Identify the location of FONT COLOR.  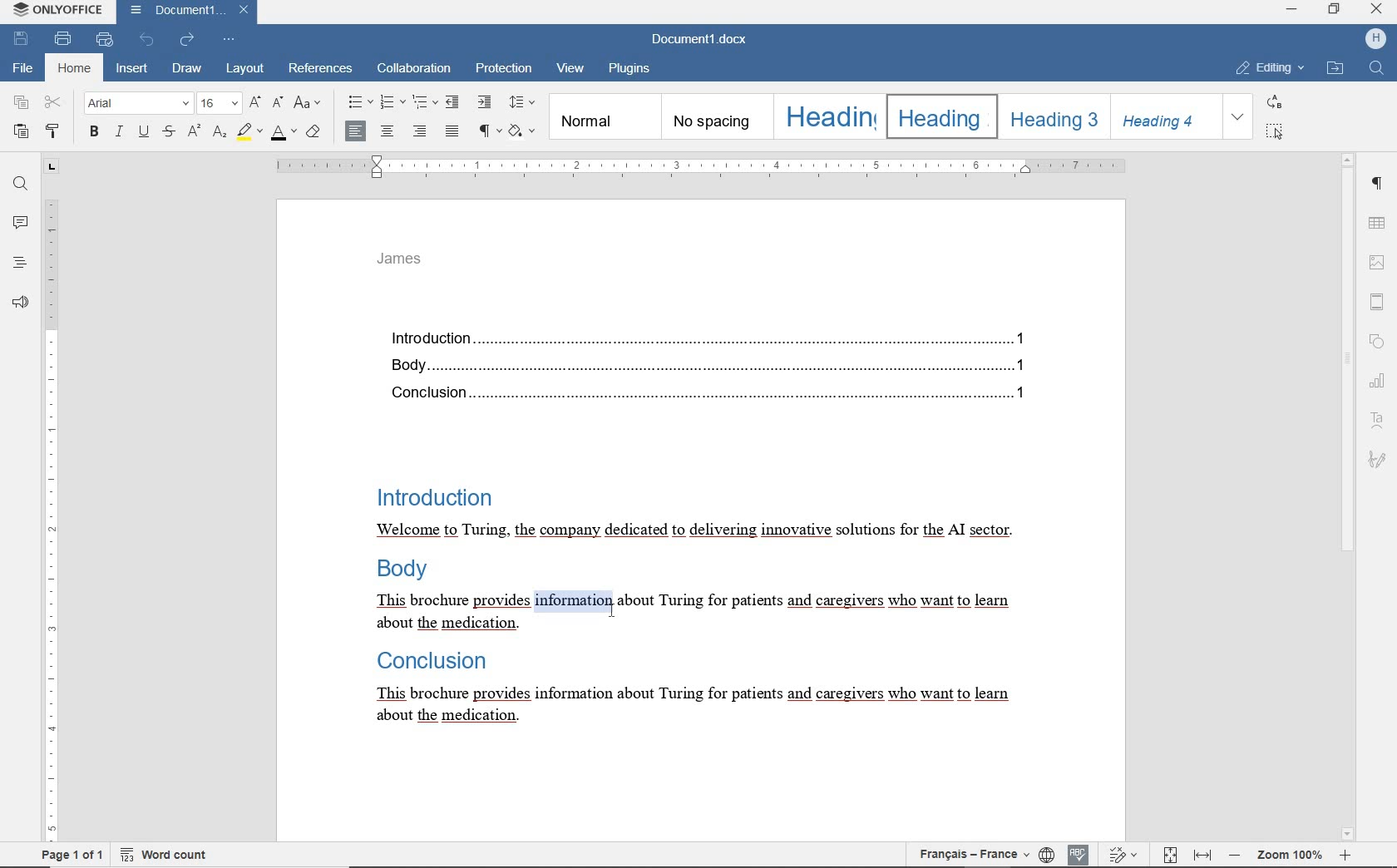
(284, 136).